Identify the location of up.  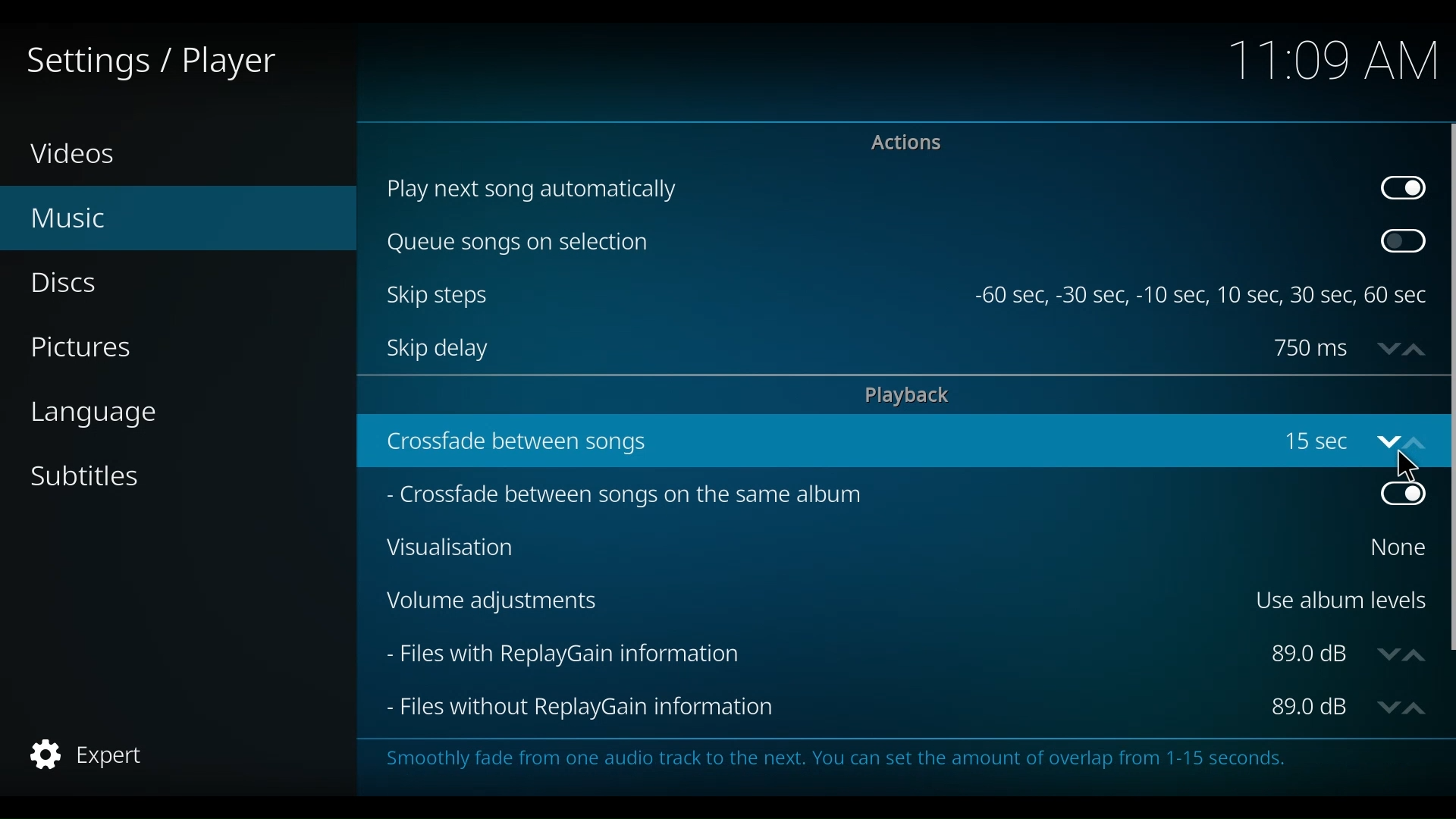
(1417, 652).